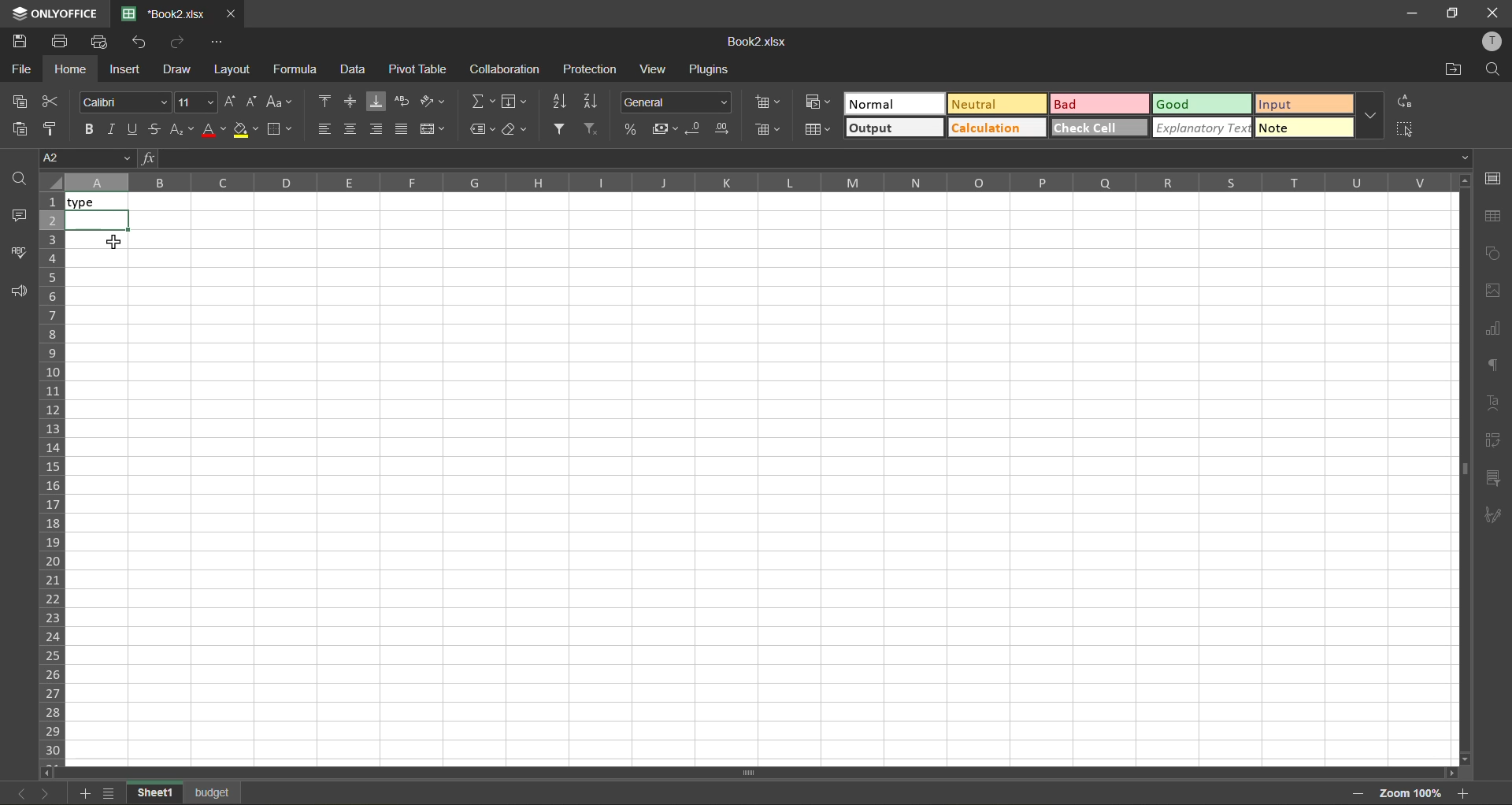 This screenshot has width=1512, height=805. I want to click on summation, so click(480, 102).